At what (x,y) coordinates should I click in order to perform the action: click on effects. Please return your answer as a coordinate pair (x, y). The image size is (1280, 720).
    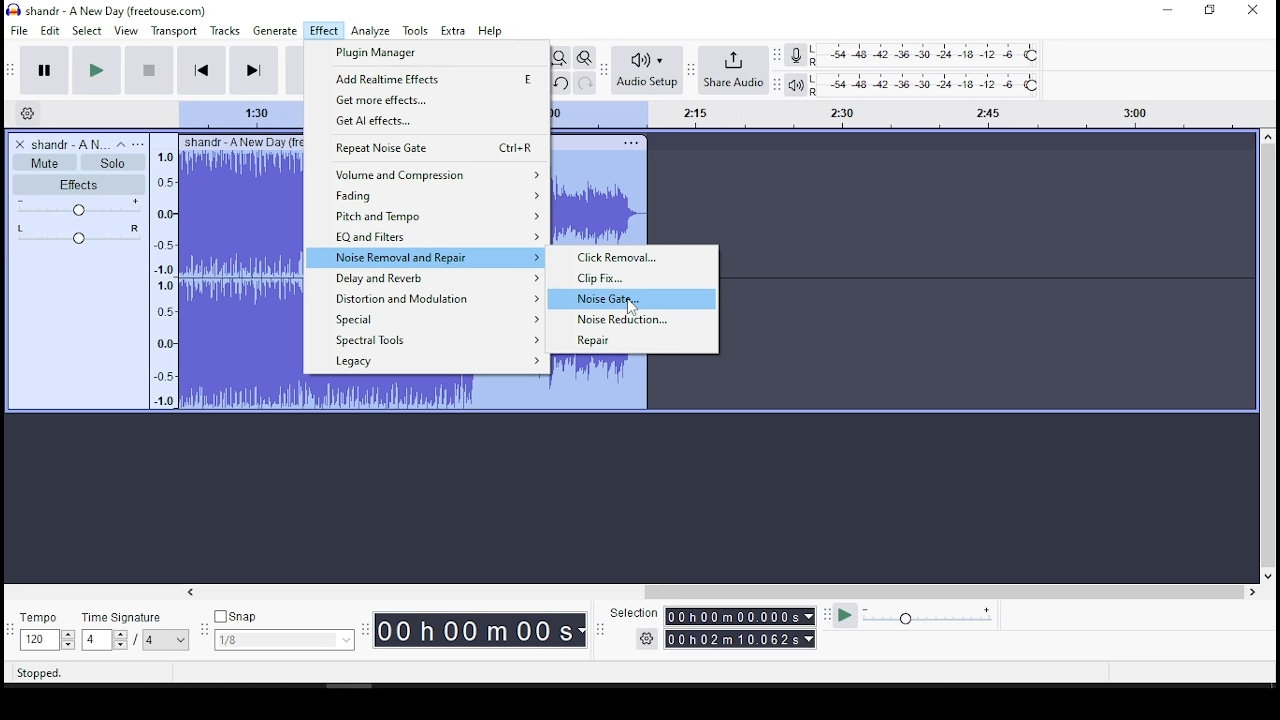
    Looking at the image, I should click on (79, 185).